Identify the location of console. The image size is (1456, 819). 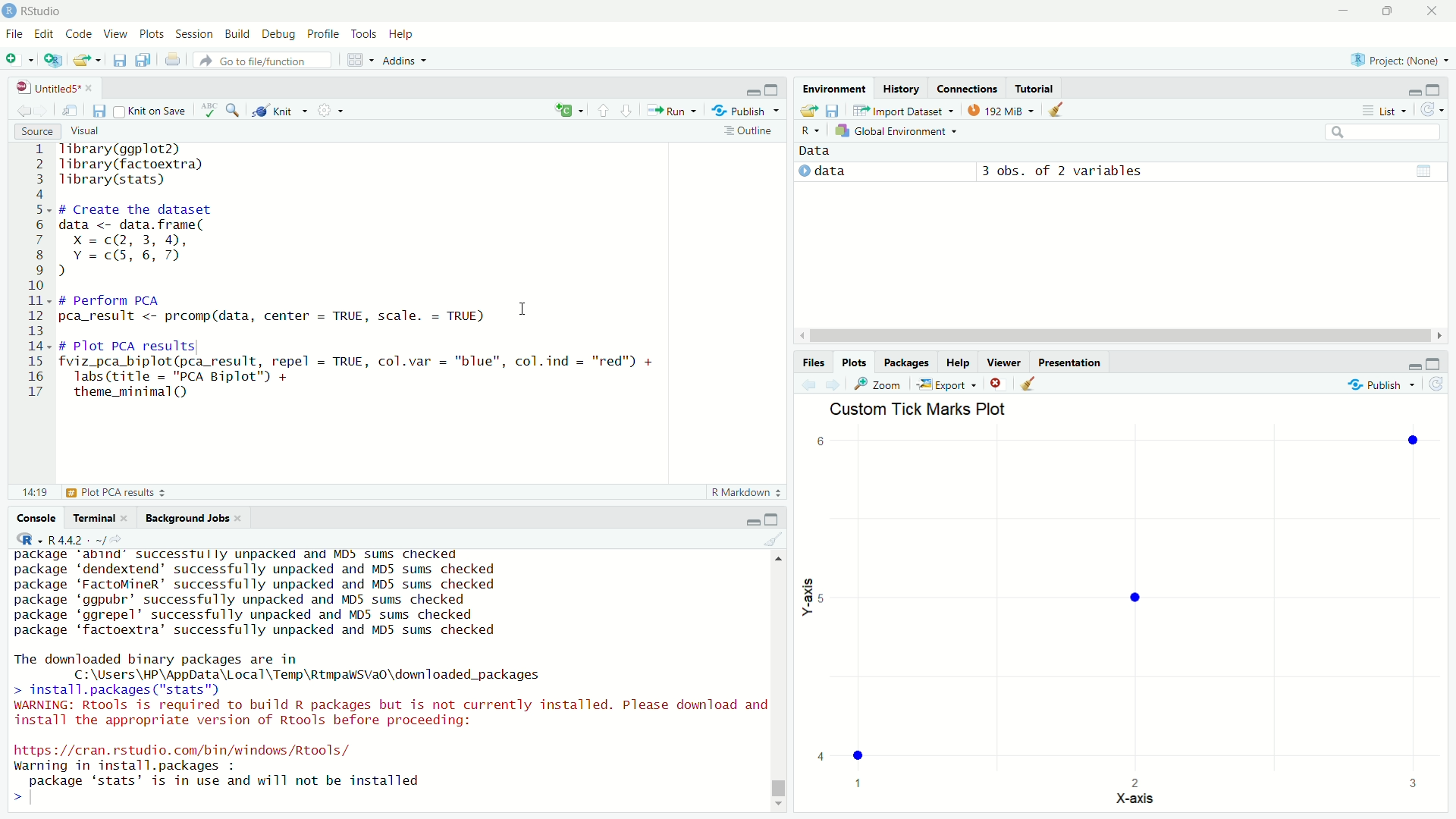
(37, 518).